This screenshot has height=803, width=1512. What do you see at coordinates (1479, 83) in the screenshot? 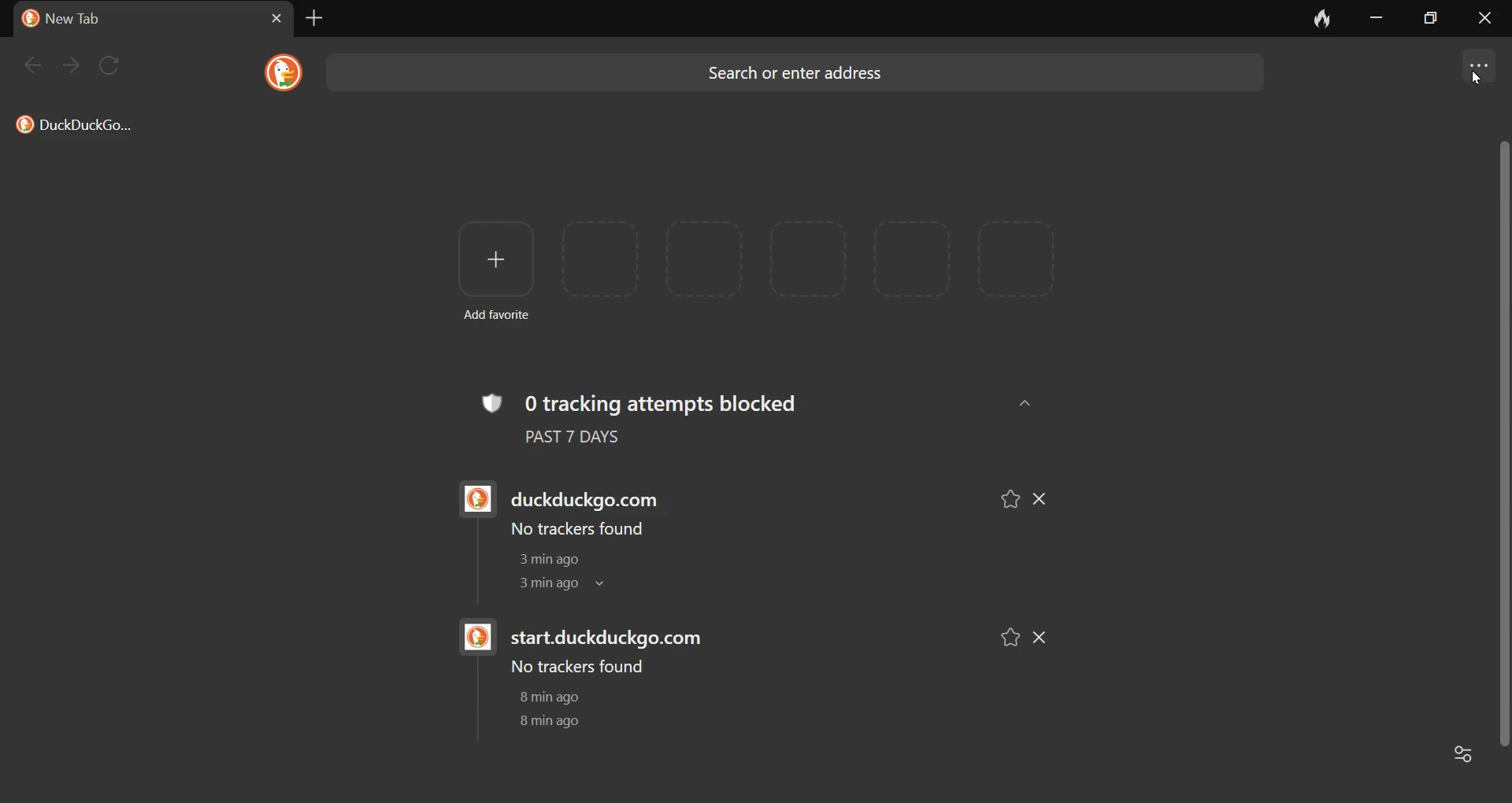
I see `cursor` at bounding box center [1479, 83].